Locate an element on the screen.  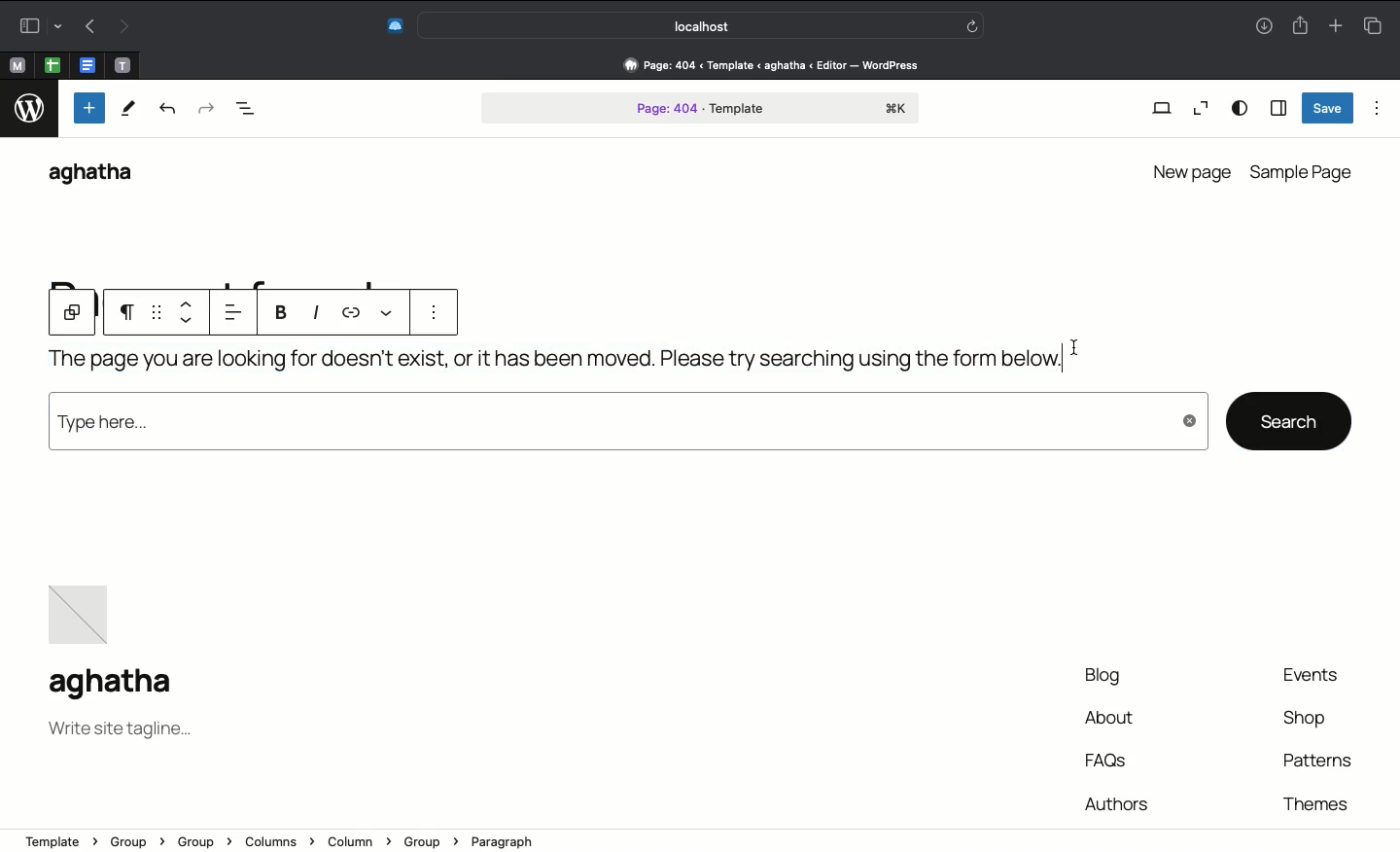
Zoom out is located at coordinates (1198, 109).